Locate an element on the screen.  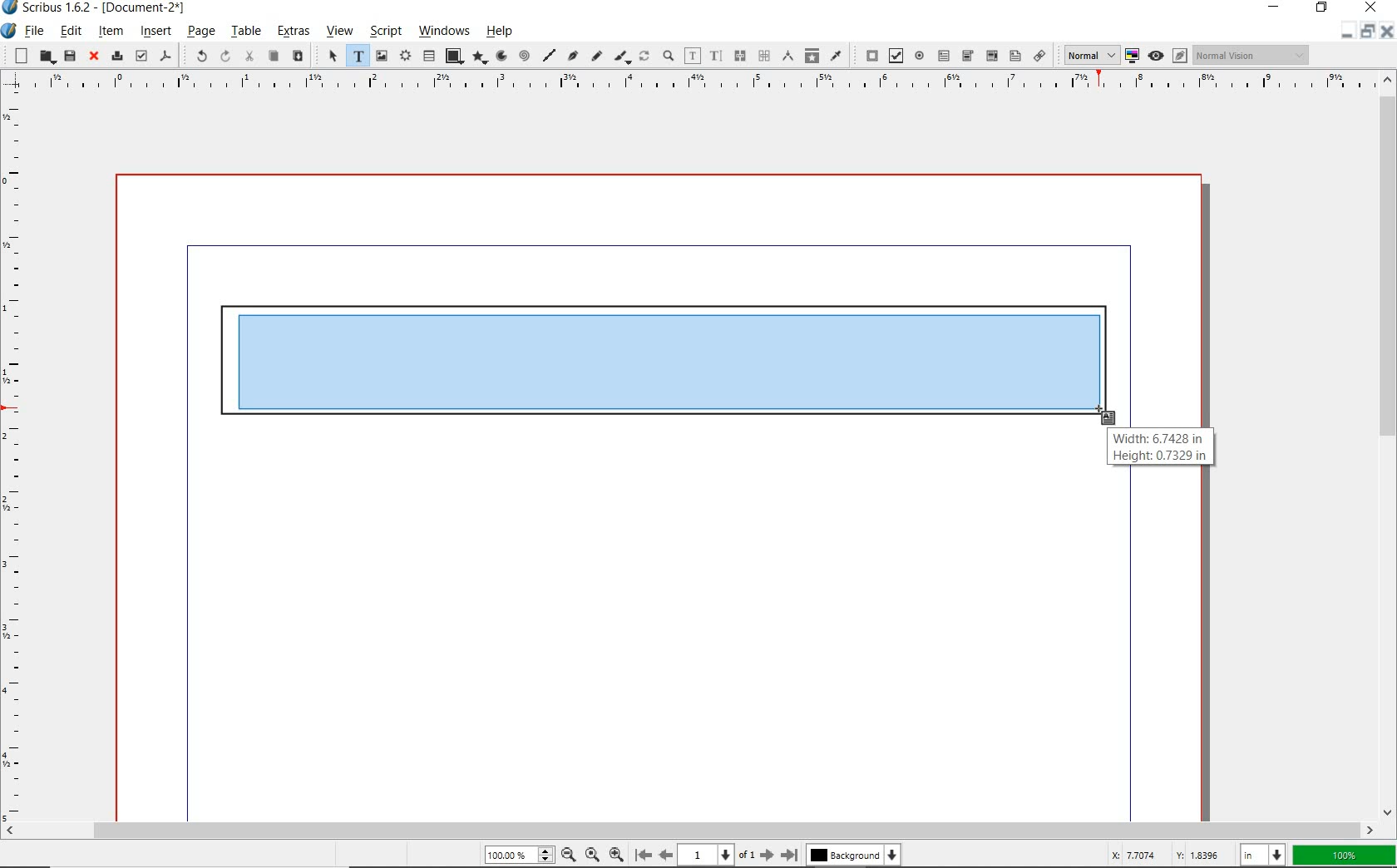
zoom to is located at coordinates (594, 855).